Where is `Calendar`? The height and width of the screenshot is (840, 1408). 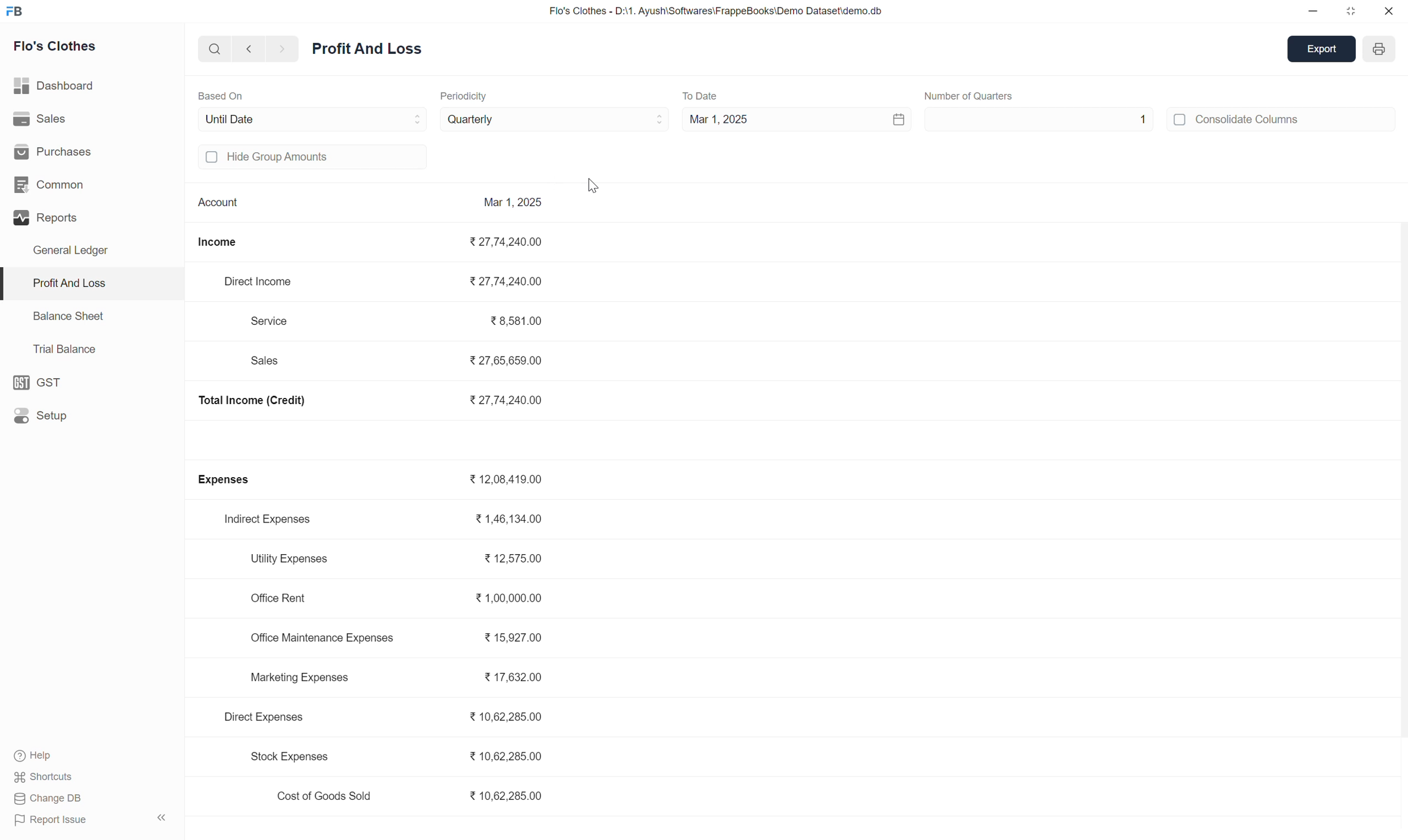 Calendar is located at coordinates (884, 119).